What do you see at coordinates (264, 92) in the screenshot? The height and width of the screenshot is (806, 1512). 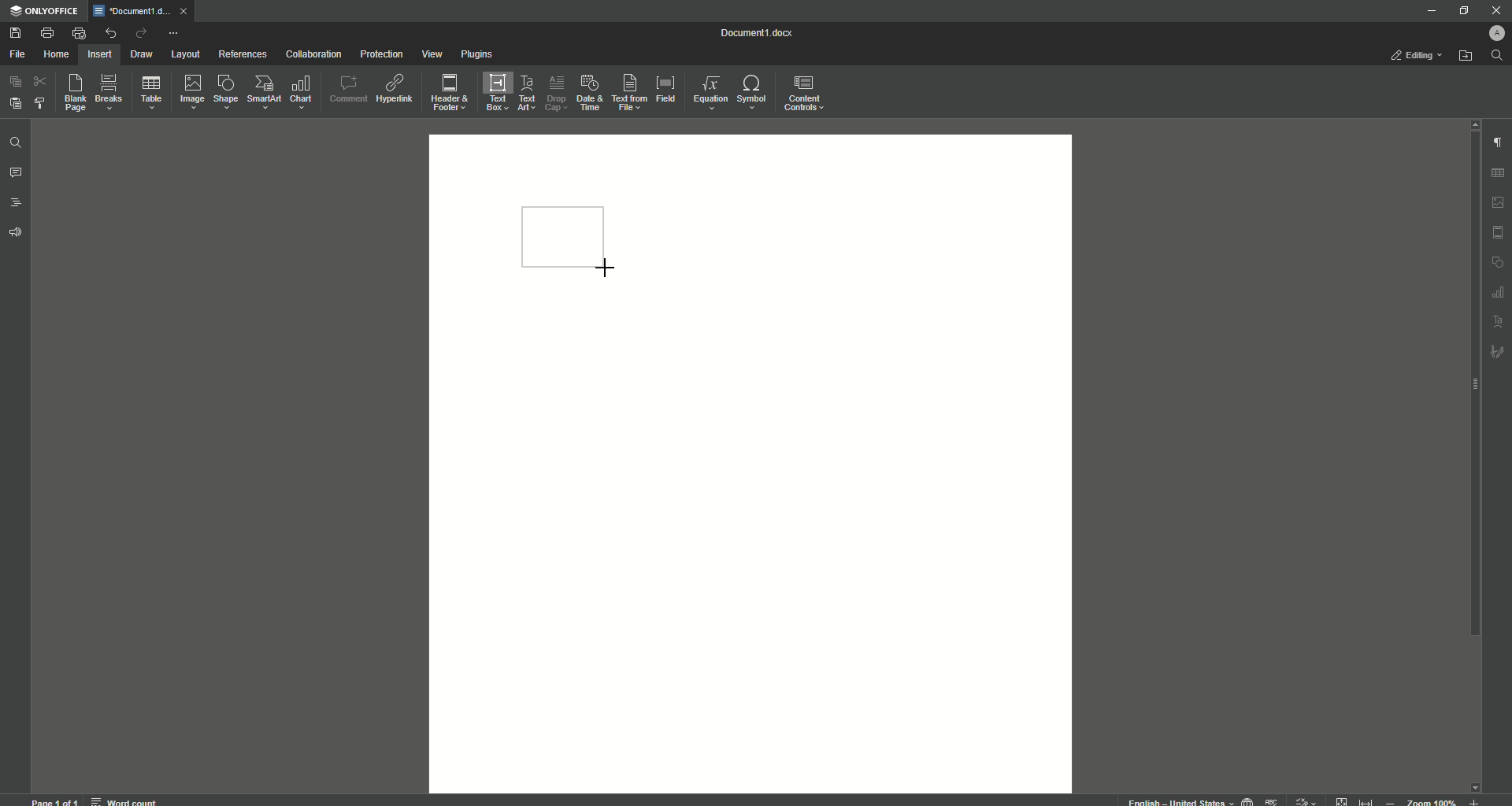 I see `SmartArt` at bounding box center [264, 92].